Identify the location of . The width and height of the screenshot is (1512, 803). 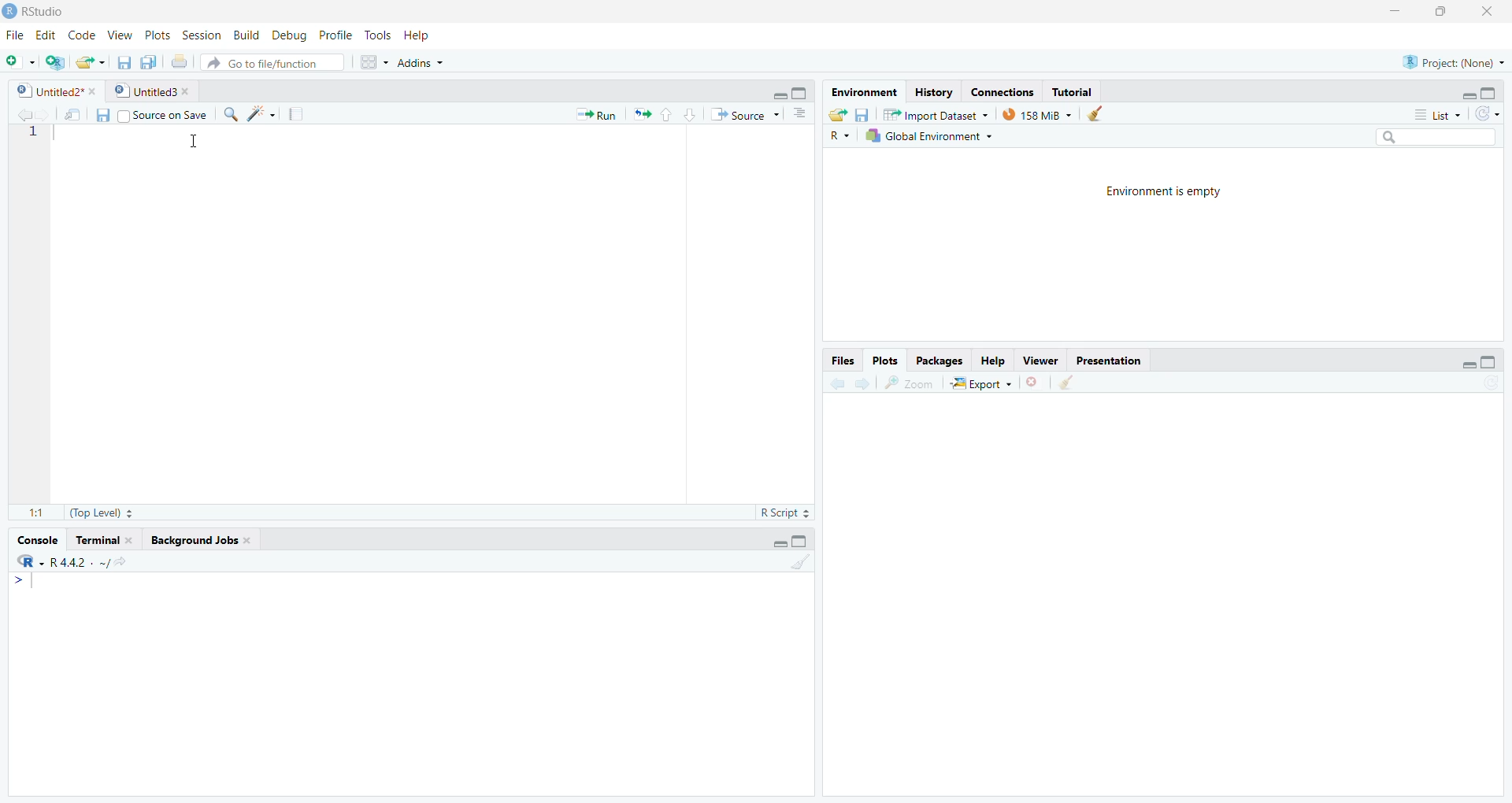
(799, 114).